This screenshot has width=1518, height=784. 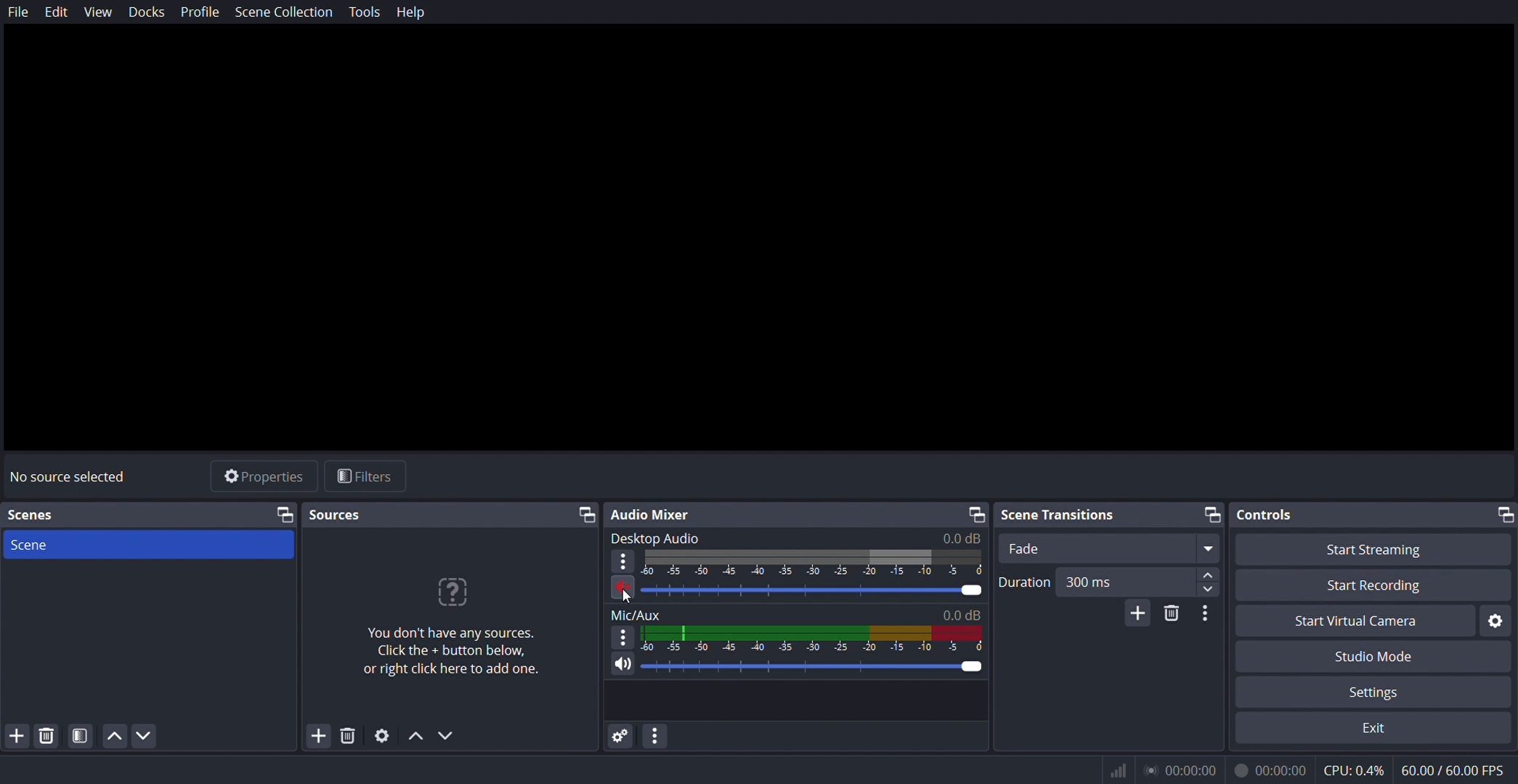 What do you see at coordinates (1376, 728) in the screenshot?
I see `exit` at bounding box center [1376, 728].